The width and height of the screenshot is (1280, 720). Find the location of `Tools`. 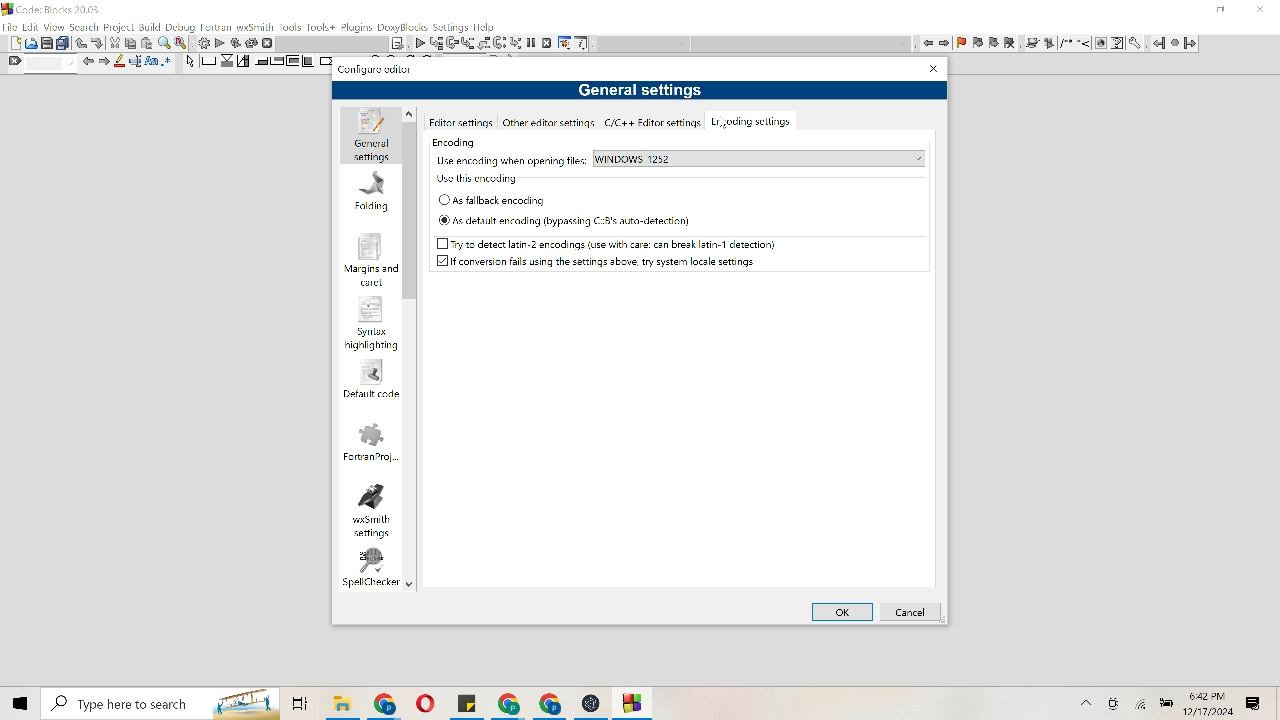

Tools is located at coordinates (564, 43).